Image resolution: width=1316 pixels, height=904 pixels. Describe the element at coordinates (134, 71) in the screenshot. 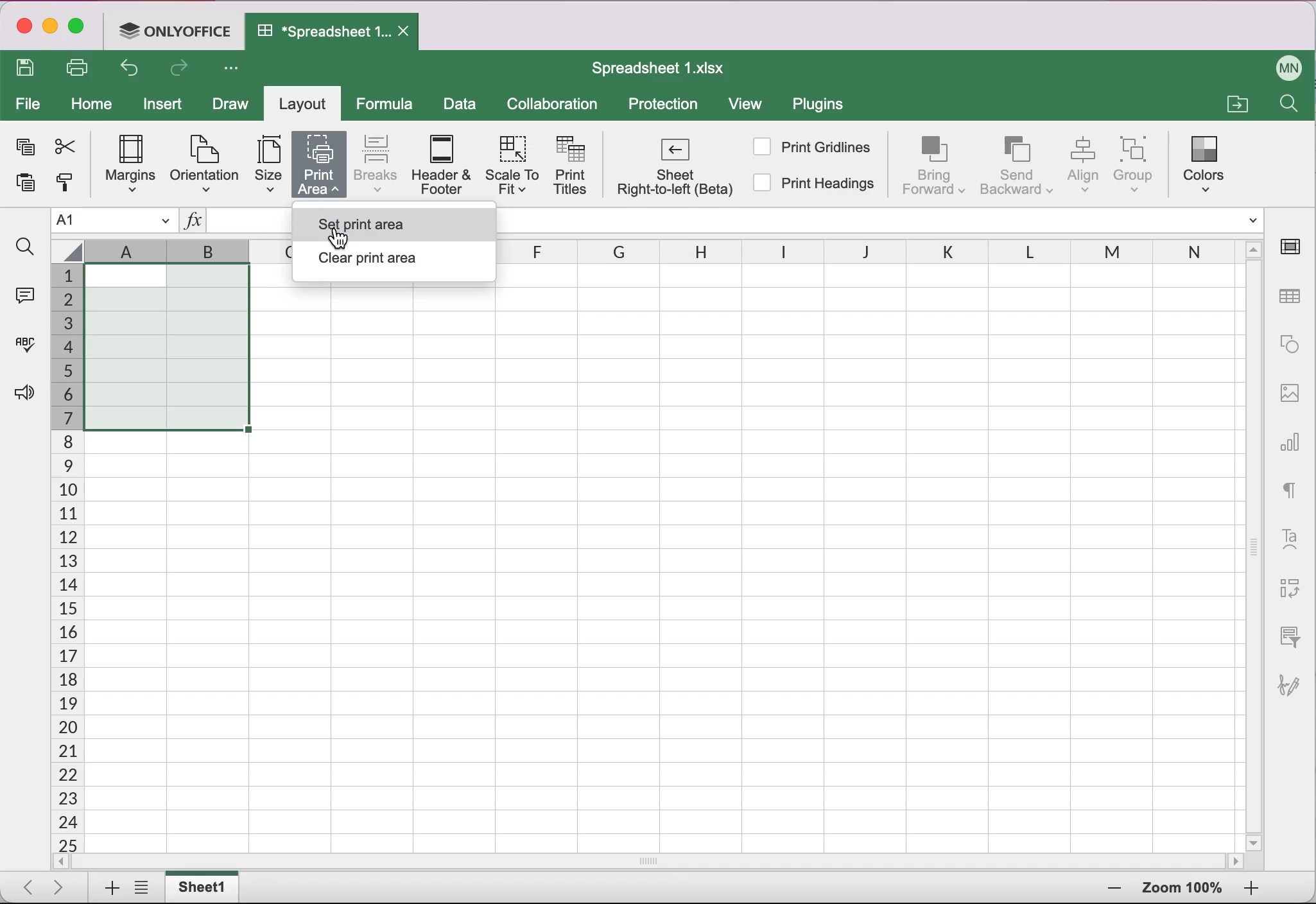

I see `undo` at that location.